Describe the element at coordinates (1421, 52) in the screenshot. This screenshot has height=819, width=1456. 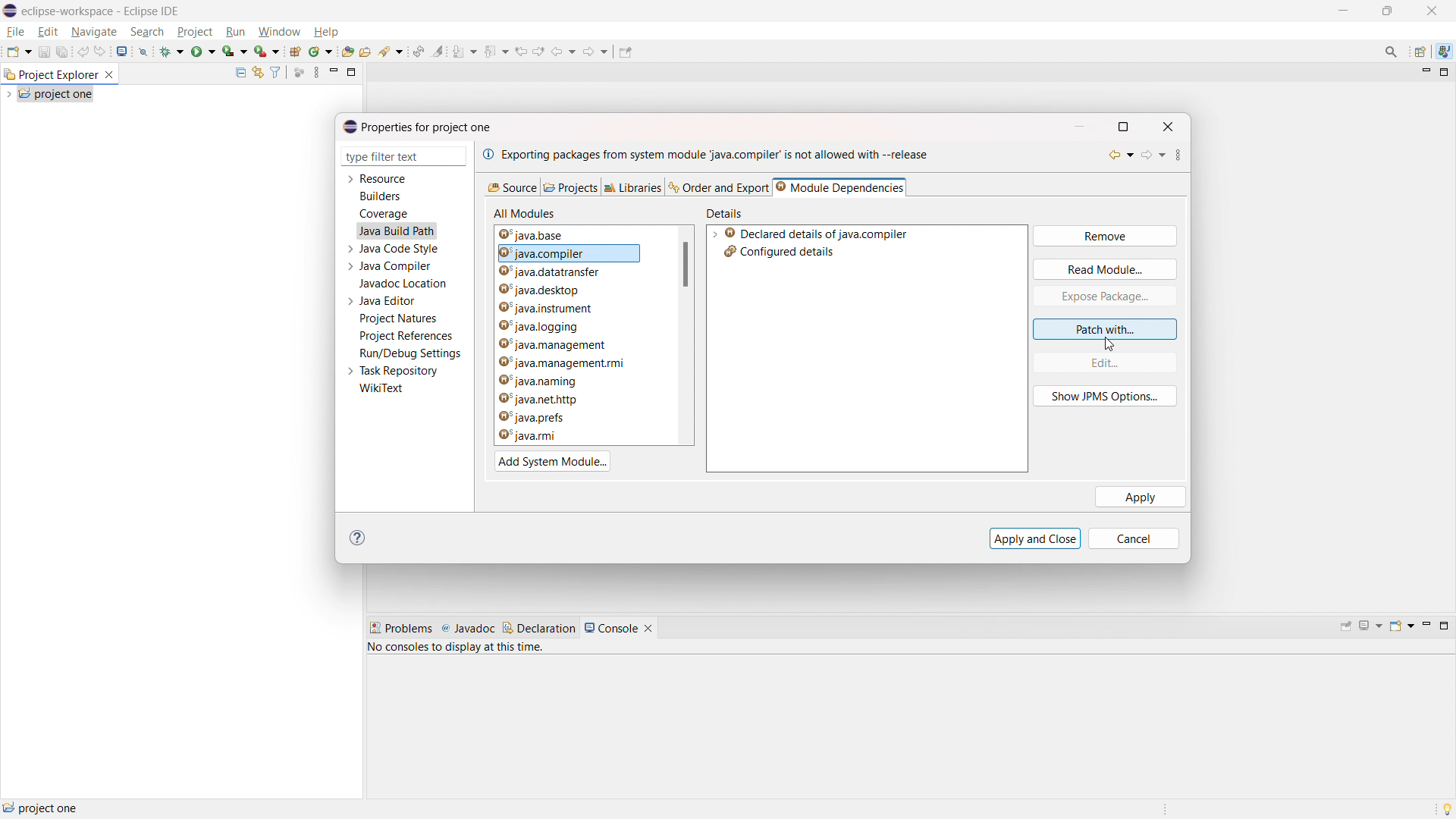
I see `open perspective` at that location.